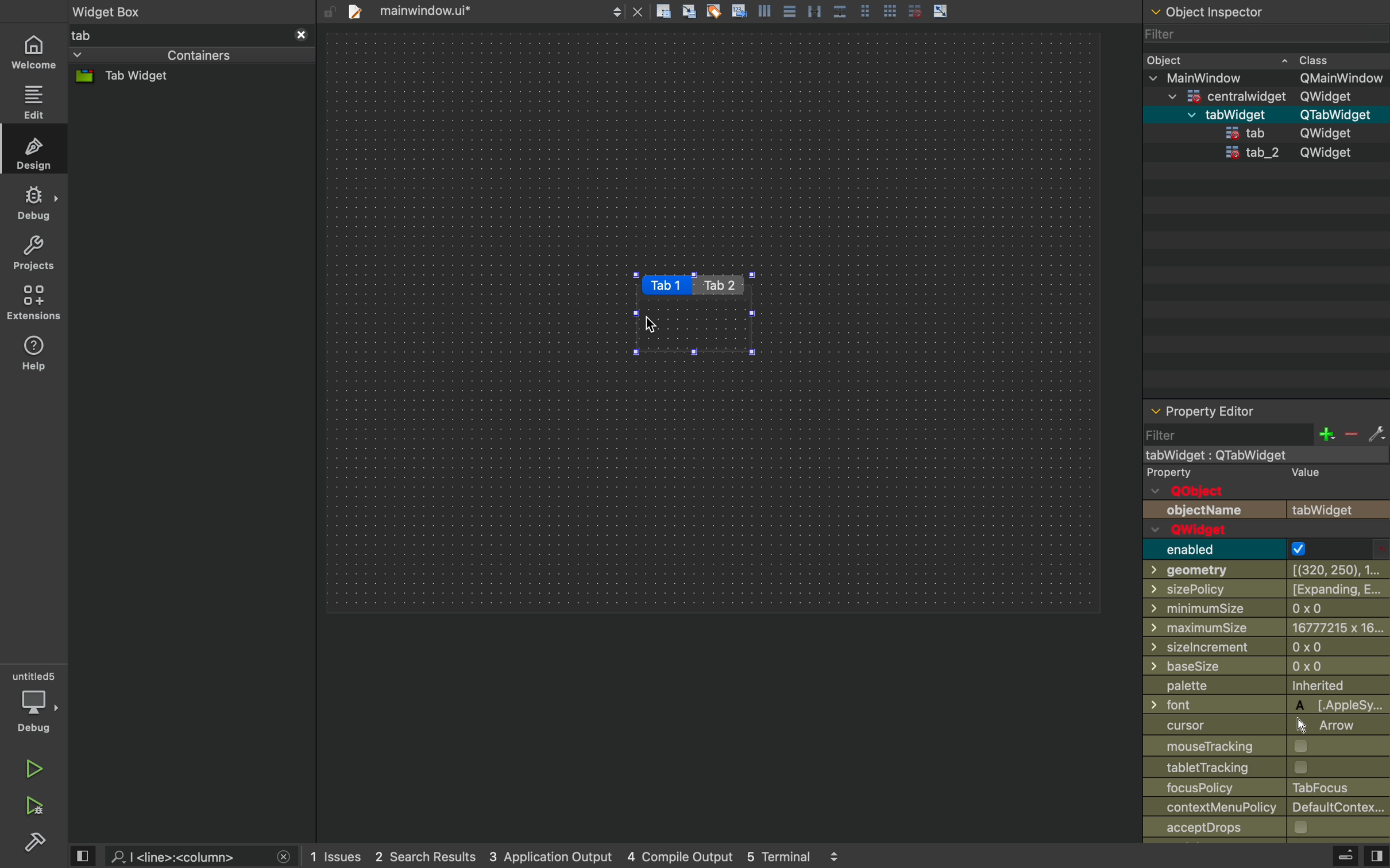 Image resolution: width=1390 pixels, height=868 pixels. What do you see at coordinates (1270, 809) in the screenshot?
I see `contextmenupolicy` at bounding box center [1270, 809].